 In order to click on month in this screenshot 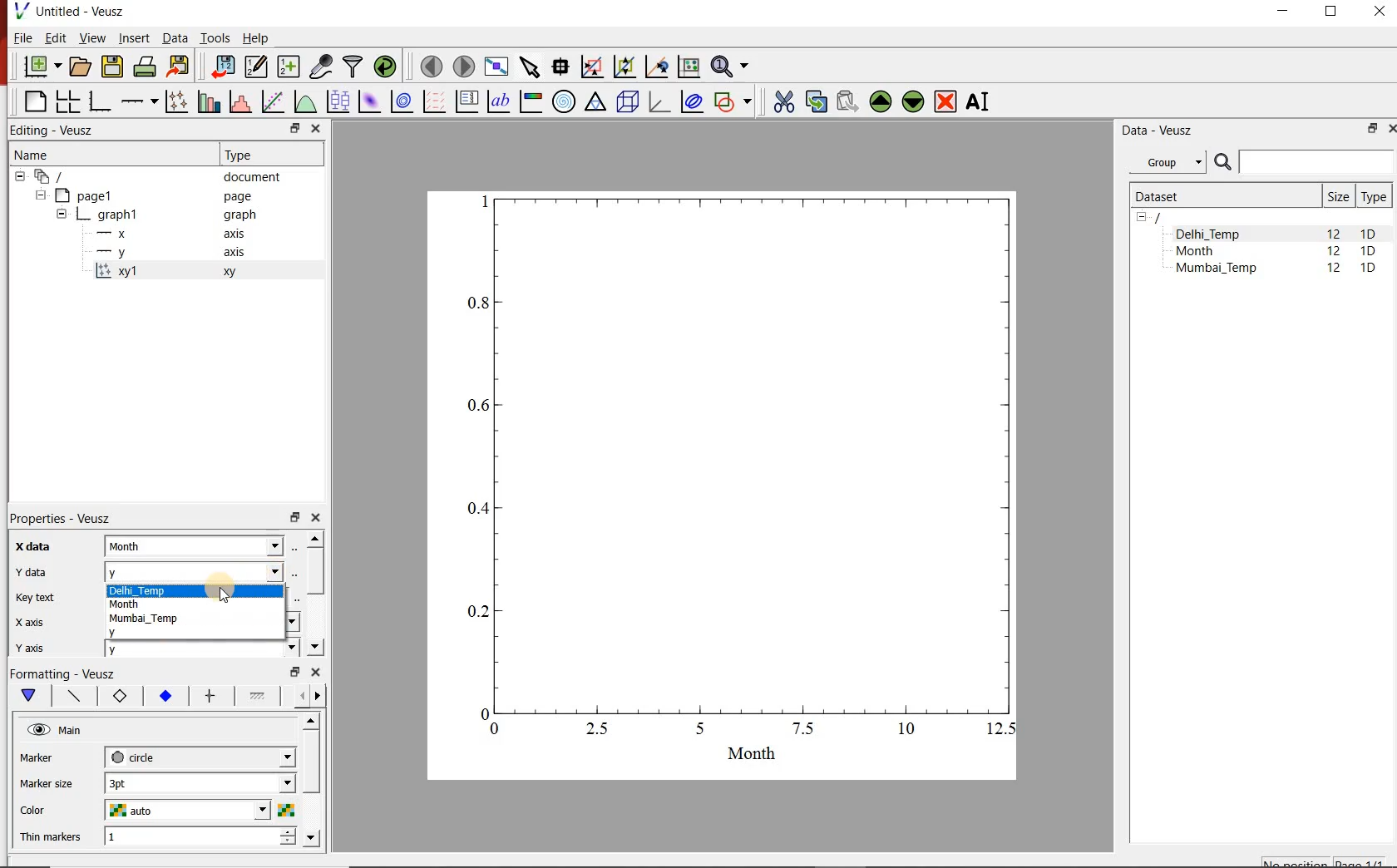, I will do `click(201, 546)`.